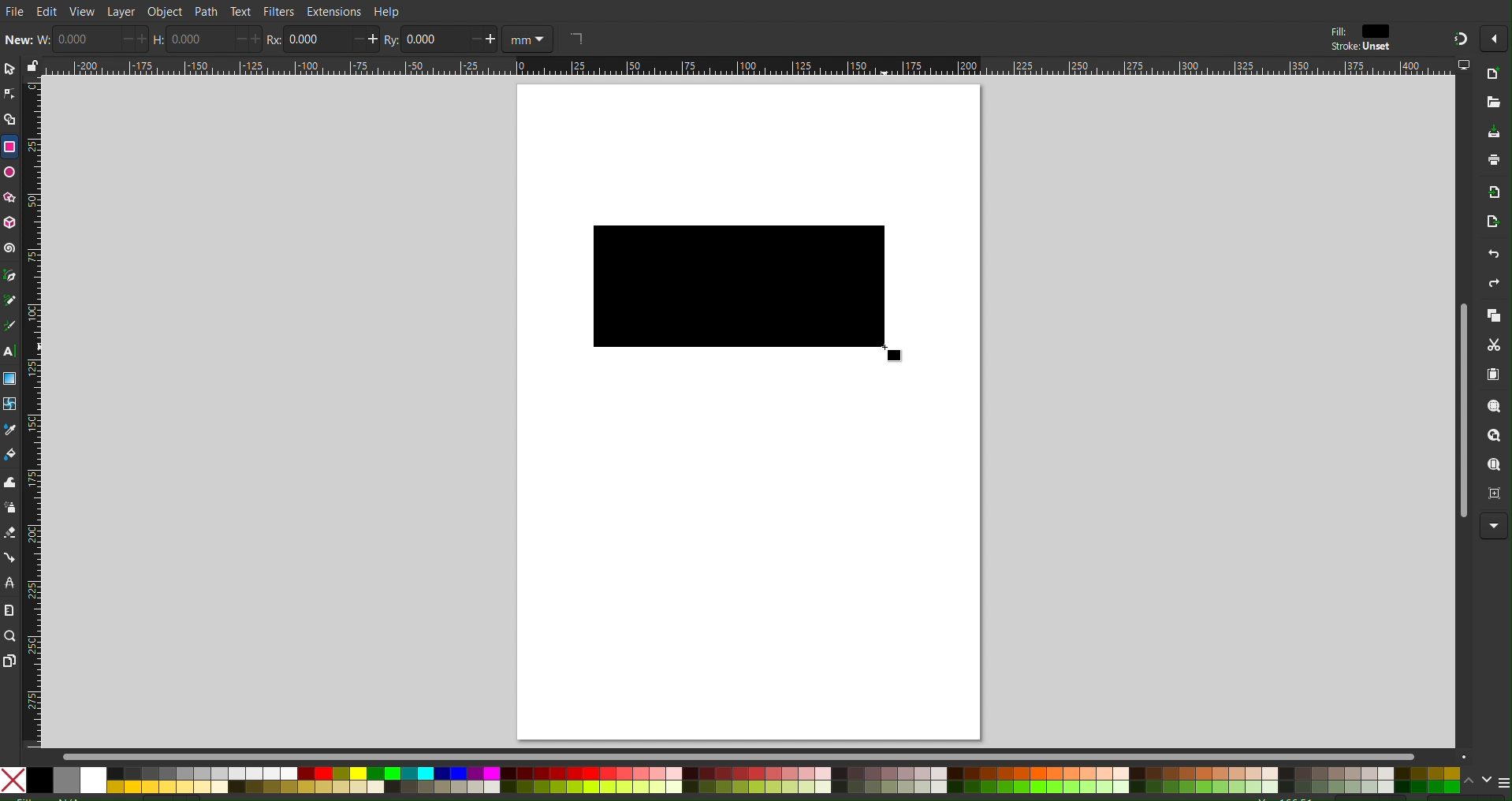  I want to click on increase/decrease, so click(482, 39).